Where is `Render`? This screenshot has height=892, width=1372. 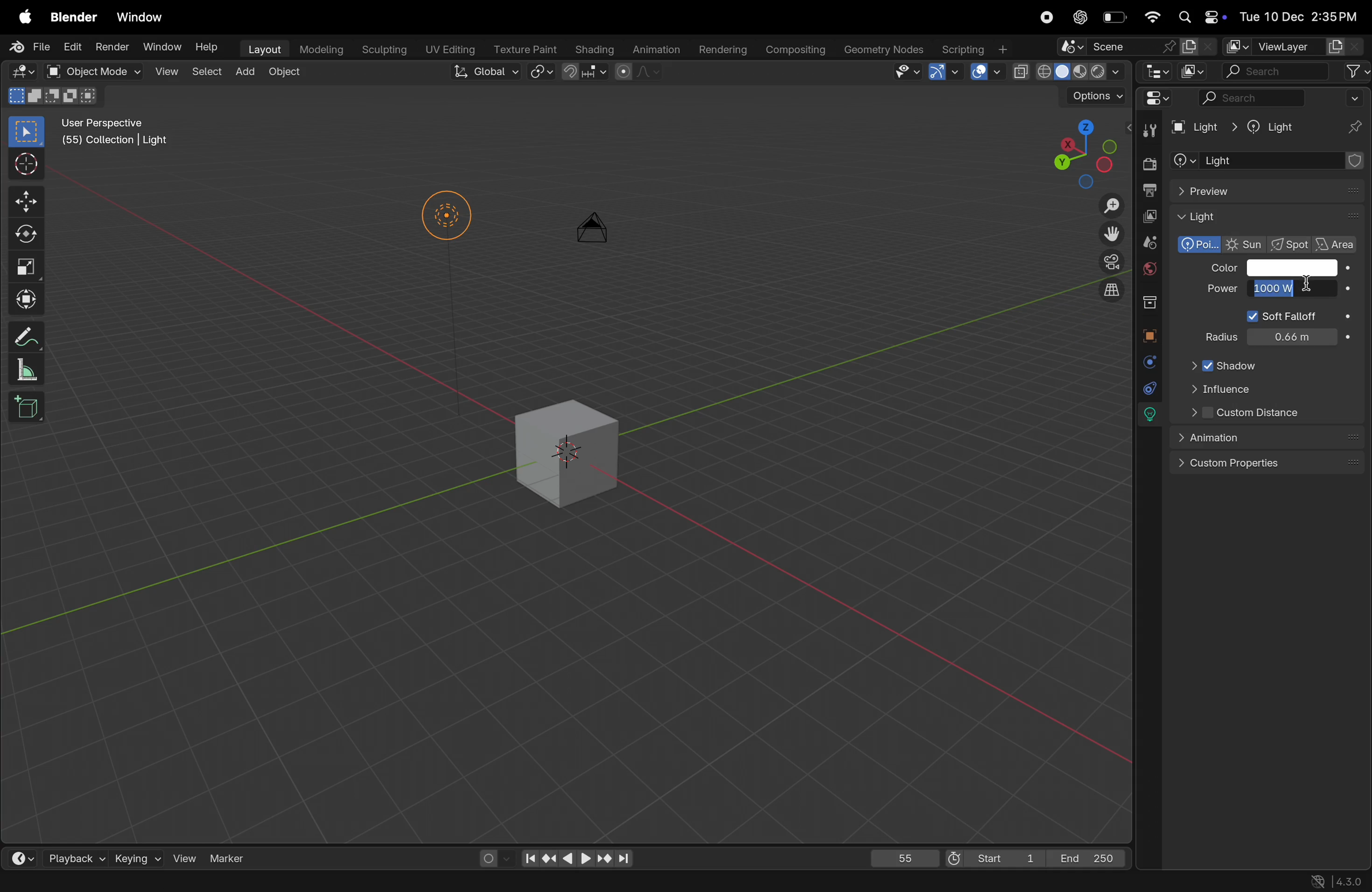 Render is located at coordinates (111, 47).